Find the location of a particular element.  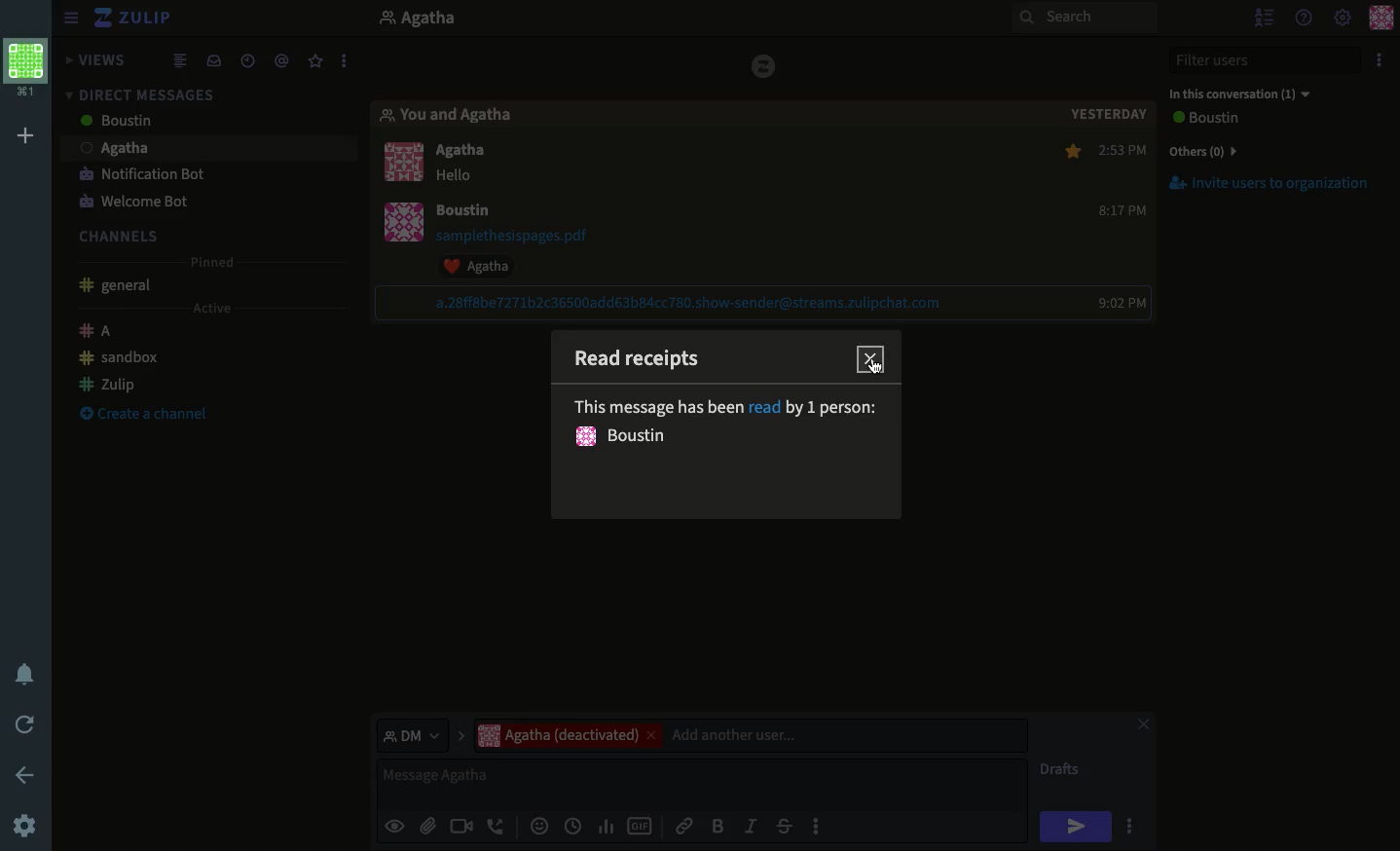

Strikethrough is located at coordinates (784, 826).